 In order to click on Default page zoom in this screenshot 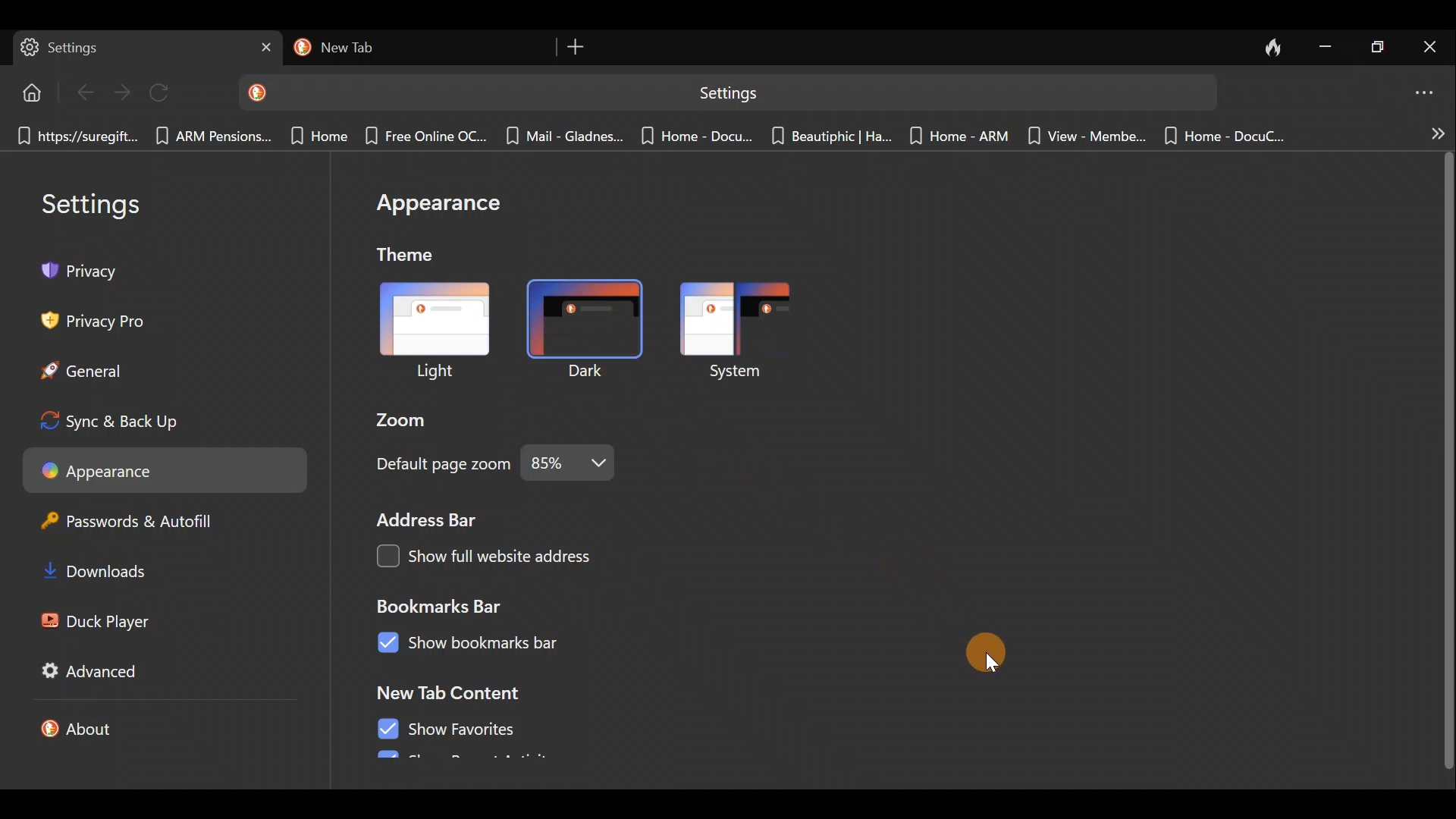, I will do `click(488, 467)`.